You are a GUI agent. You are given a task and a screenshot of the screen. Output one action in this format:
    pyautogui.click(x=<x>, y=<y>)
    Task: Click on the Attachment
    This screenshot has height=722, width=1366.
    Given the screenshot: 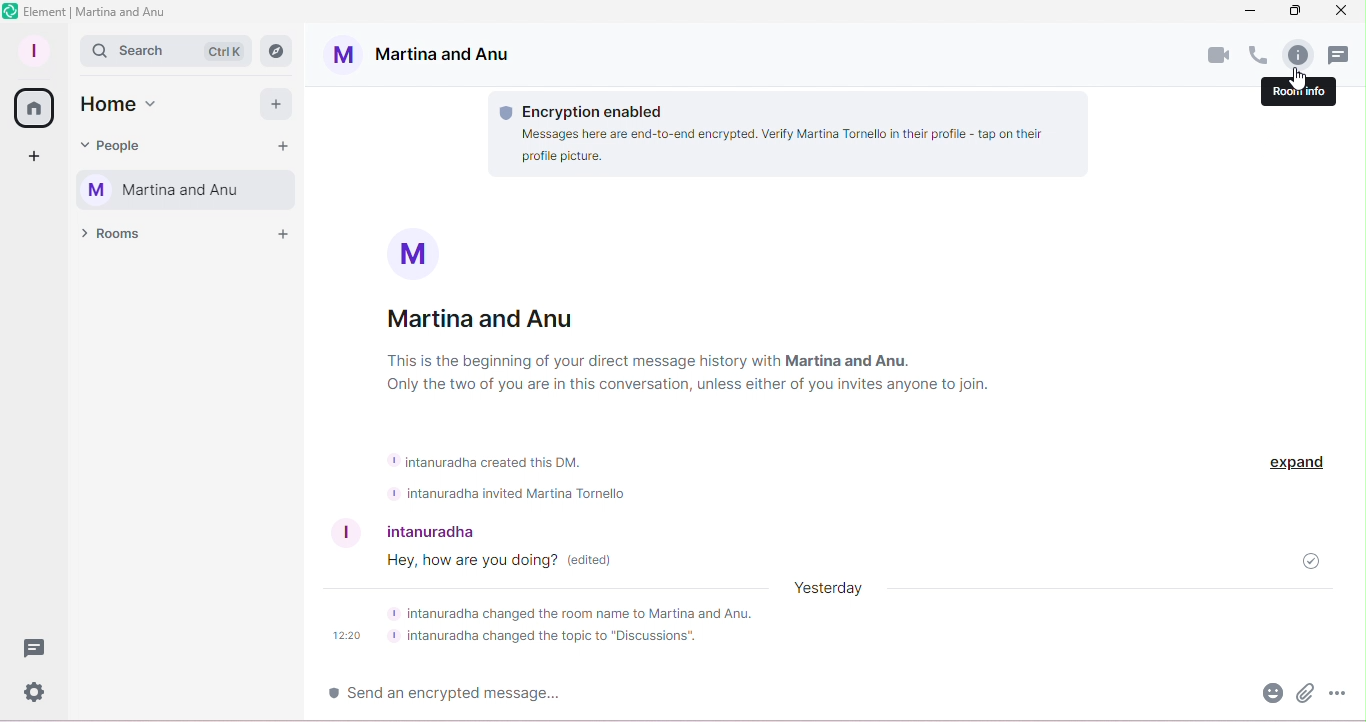 What is the action you would take?
    pyautogui.click(x=1305, y=697)
    